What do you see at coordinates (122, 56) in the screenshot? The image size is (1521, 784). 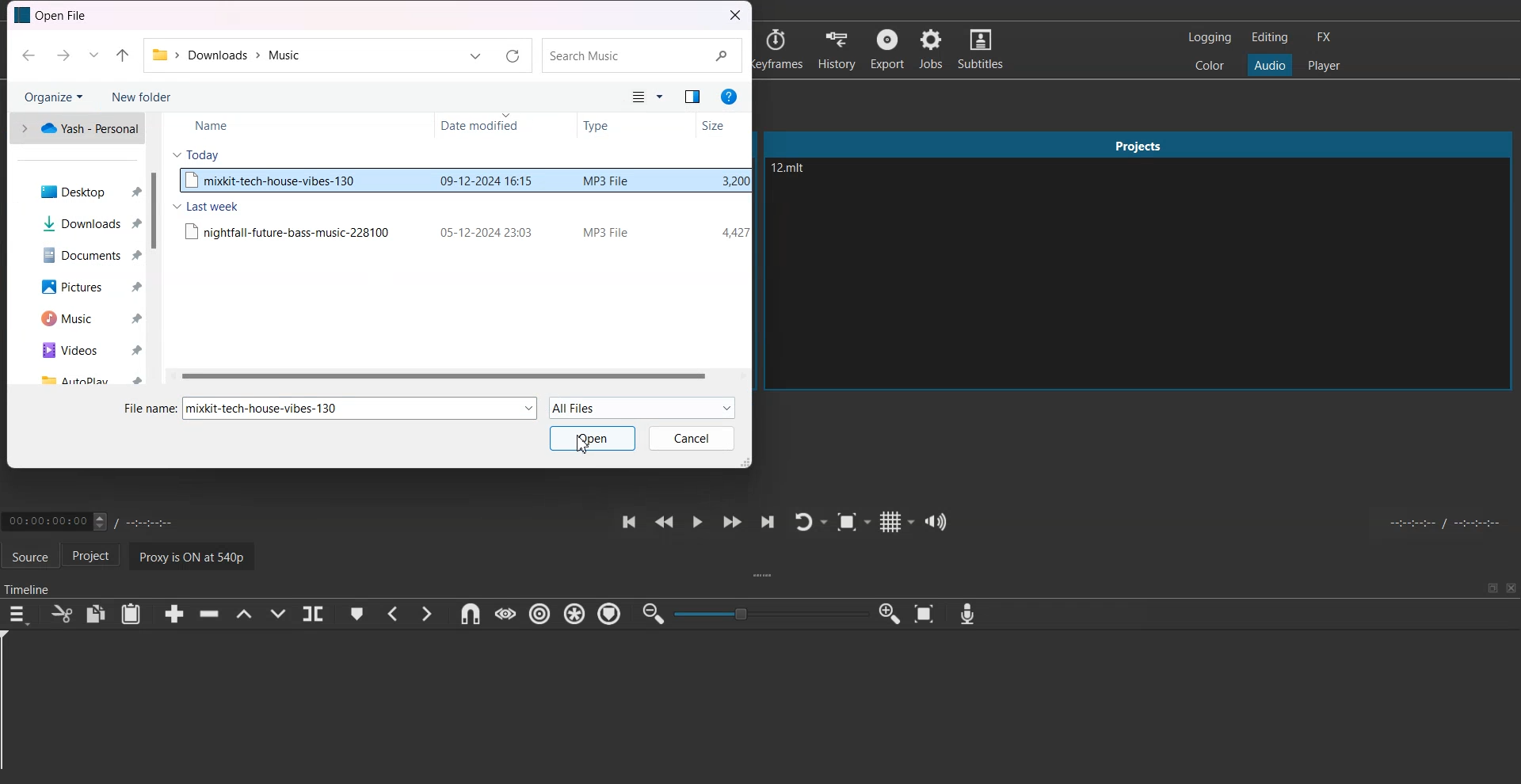 I see `Up to Previous` at bounding box center [122, 56].